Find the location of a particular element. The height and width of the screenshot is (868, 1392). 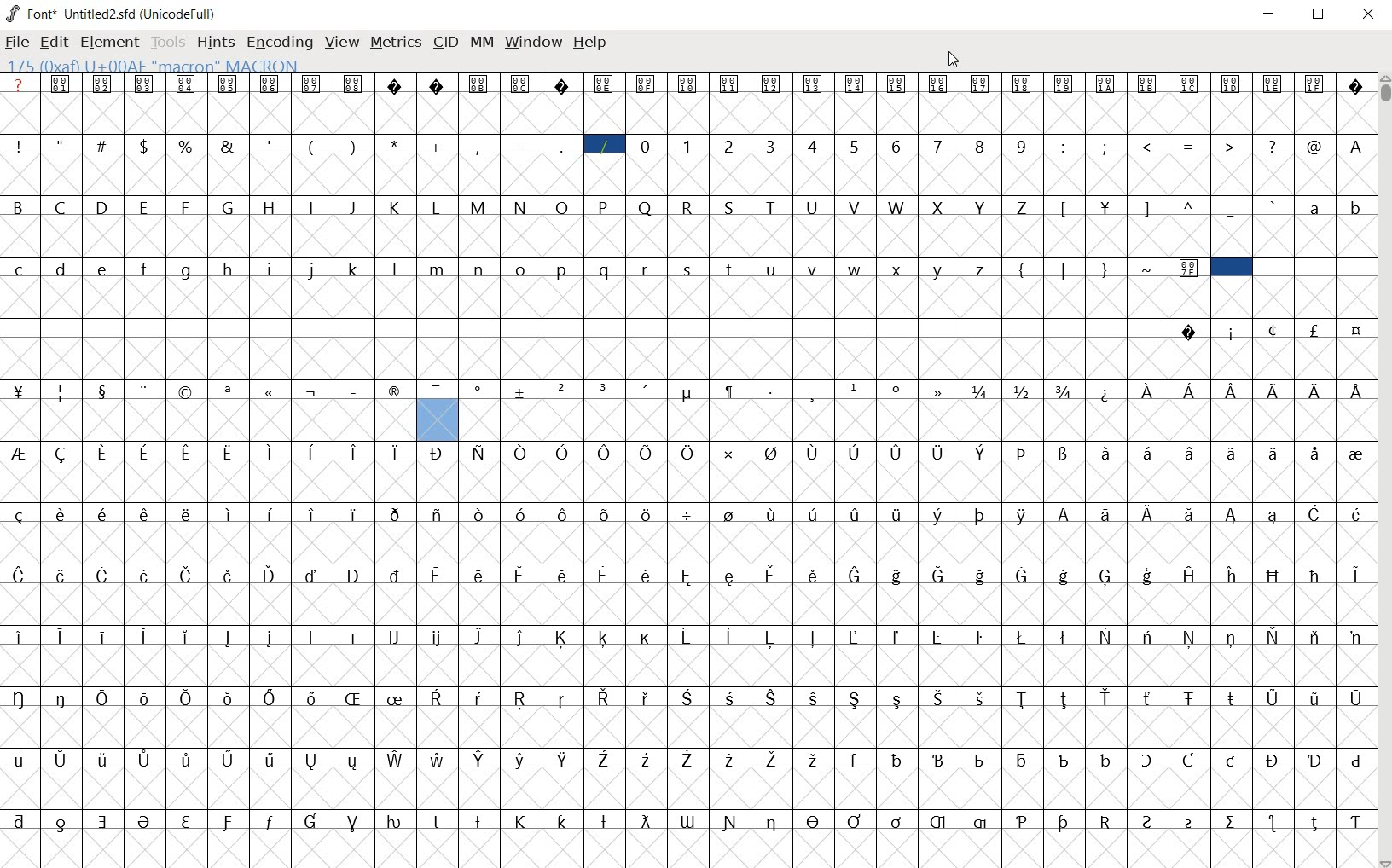

Symbol is located at coordinates (1231, 637).